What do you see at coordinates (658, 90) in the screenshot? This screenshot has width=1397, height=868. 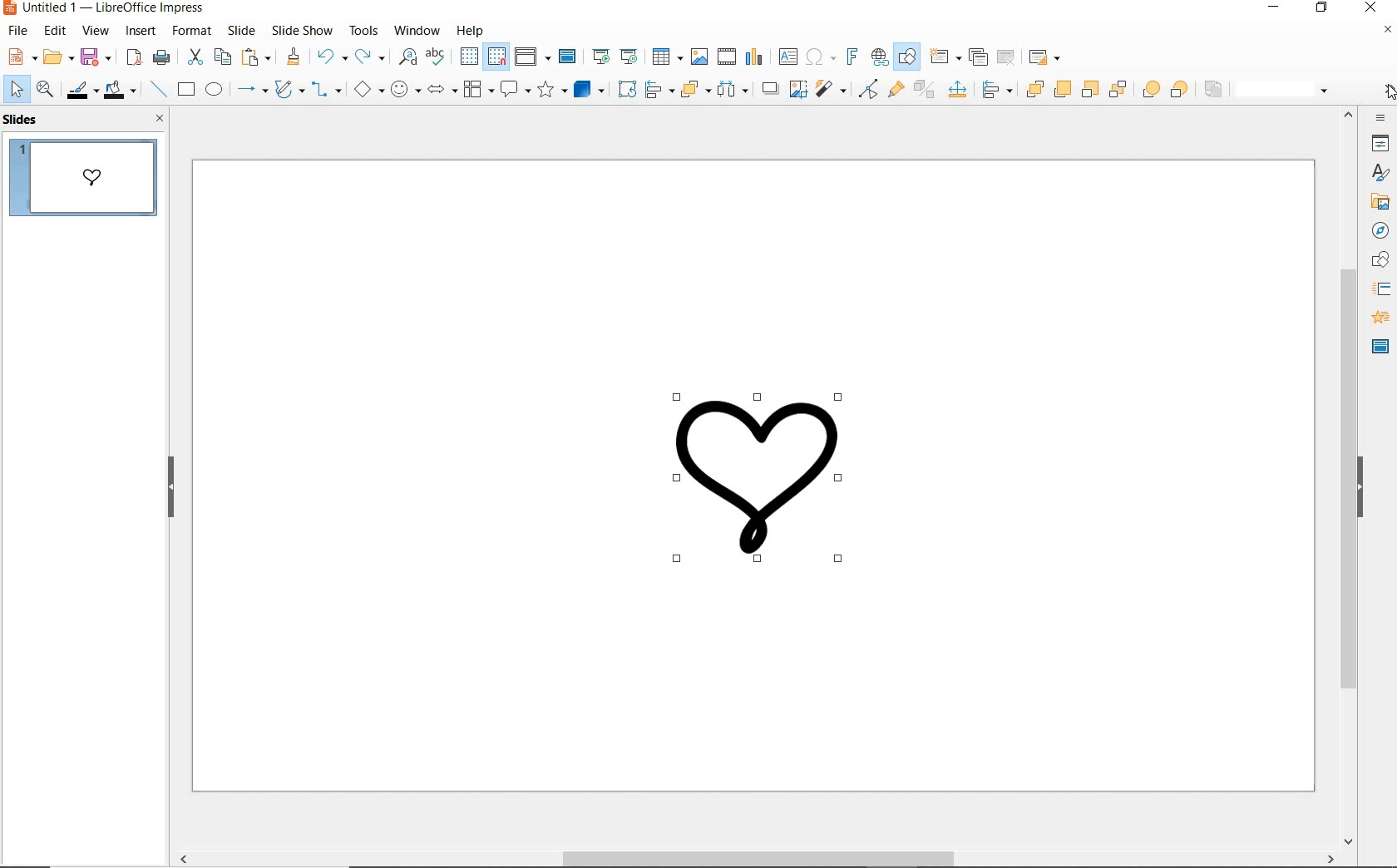 I see `align objects` at bounding box center [658, 90].